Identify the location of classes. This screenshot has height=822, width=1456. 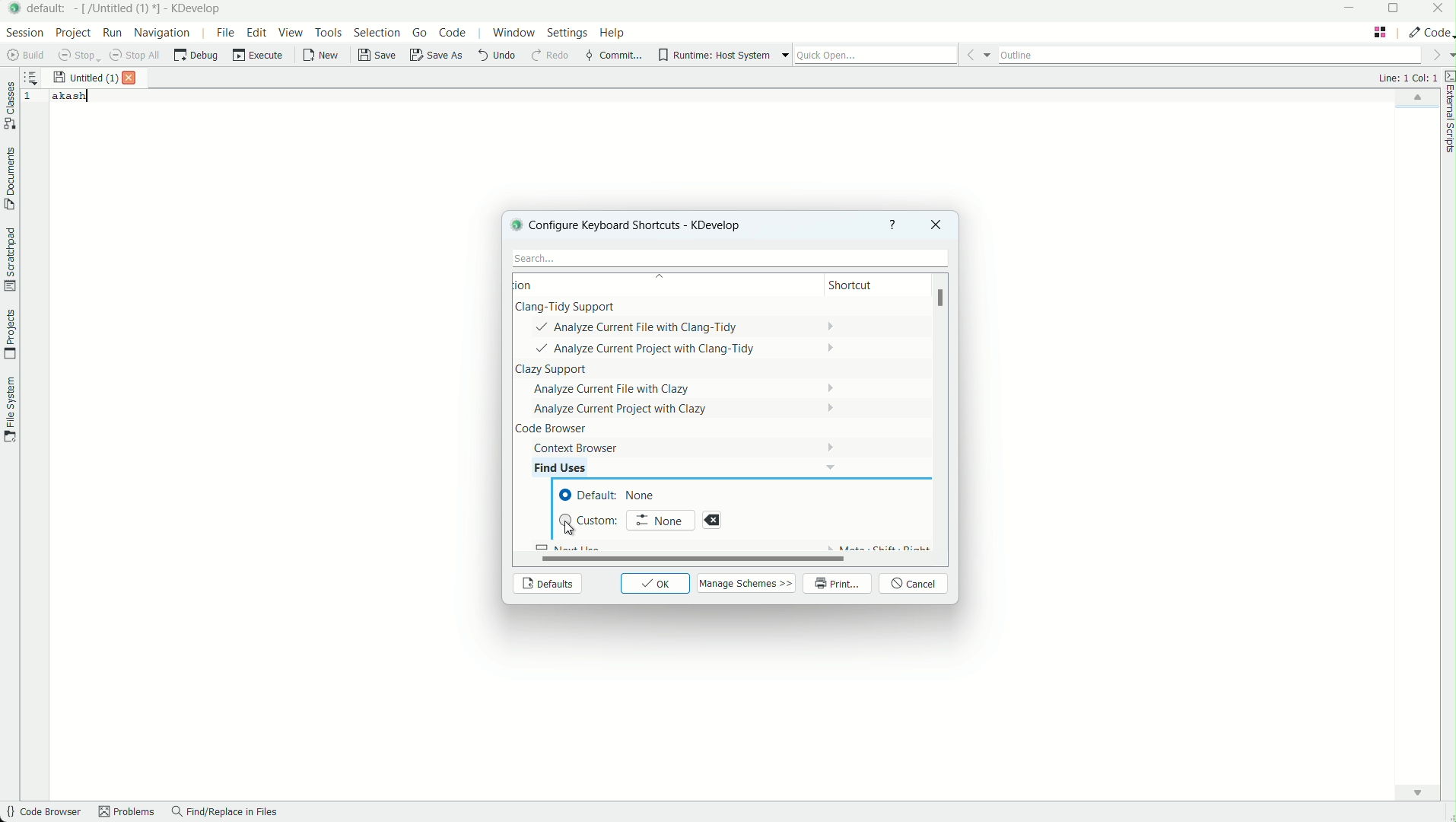
(10, 107).